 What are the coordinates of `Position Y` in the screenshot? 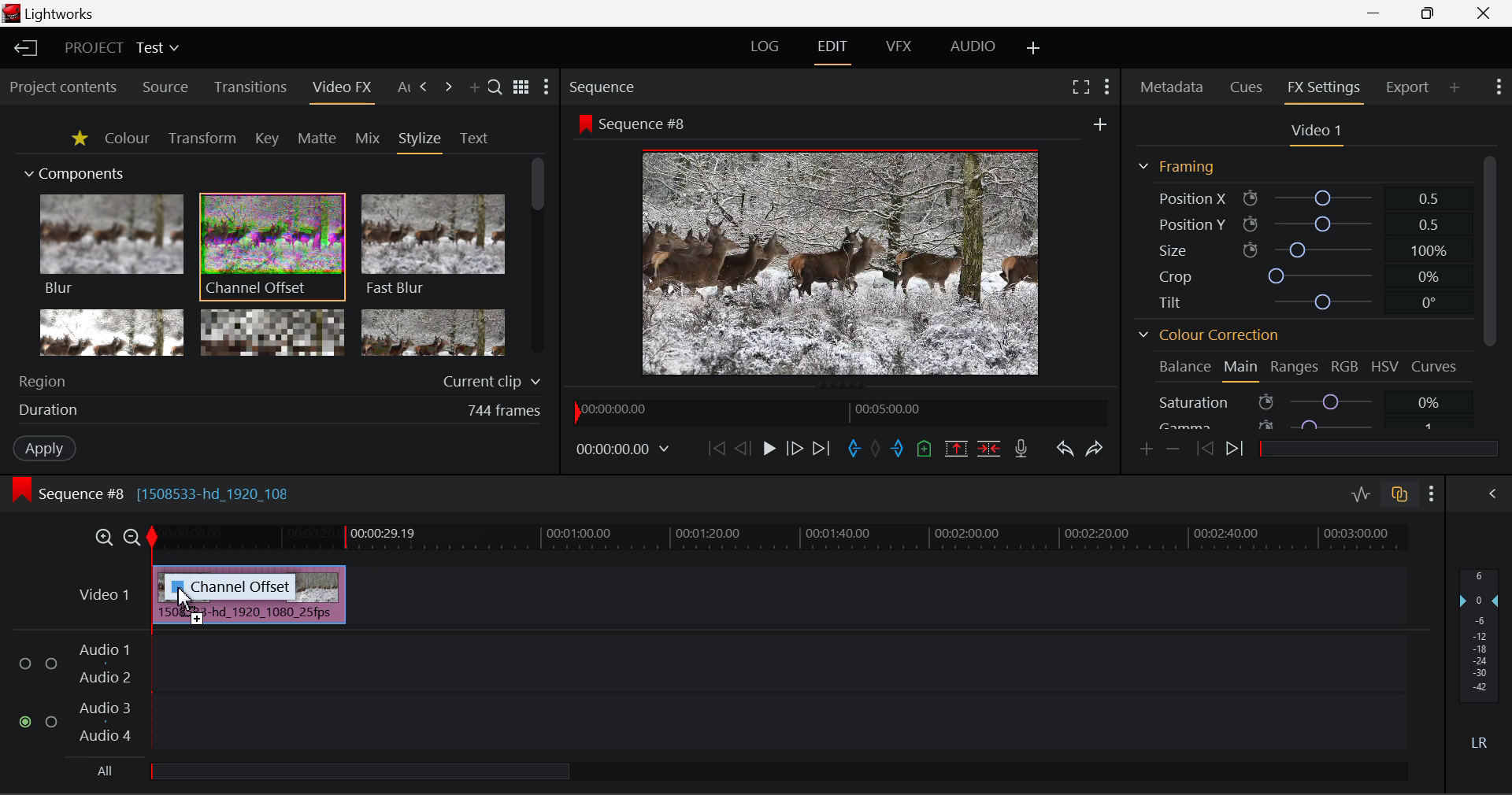 It's located at (1298, 224).